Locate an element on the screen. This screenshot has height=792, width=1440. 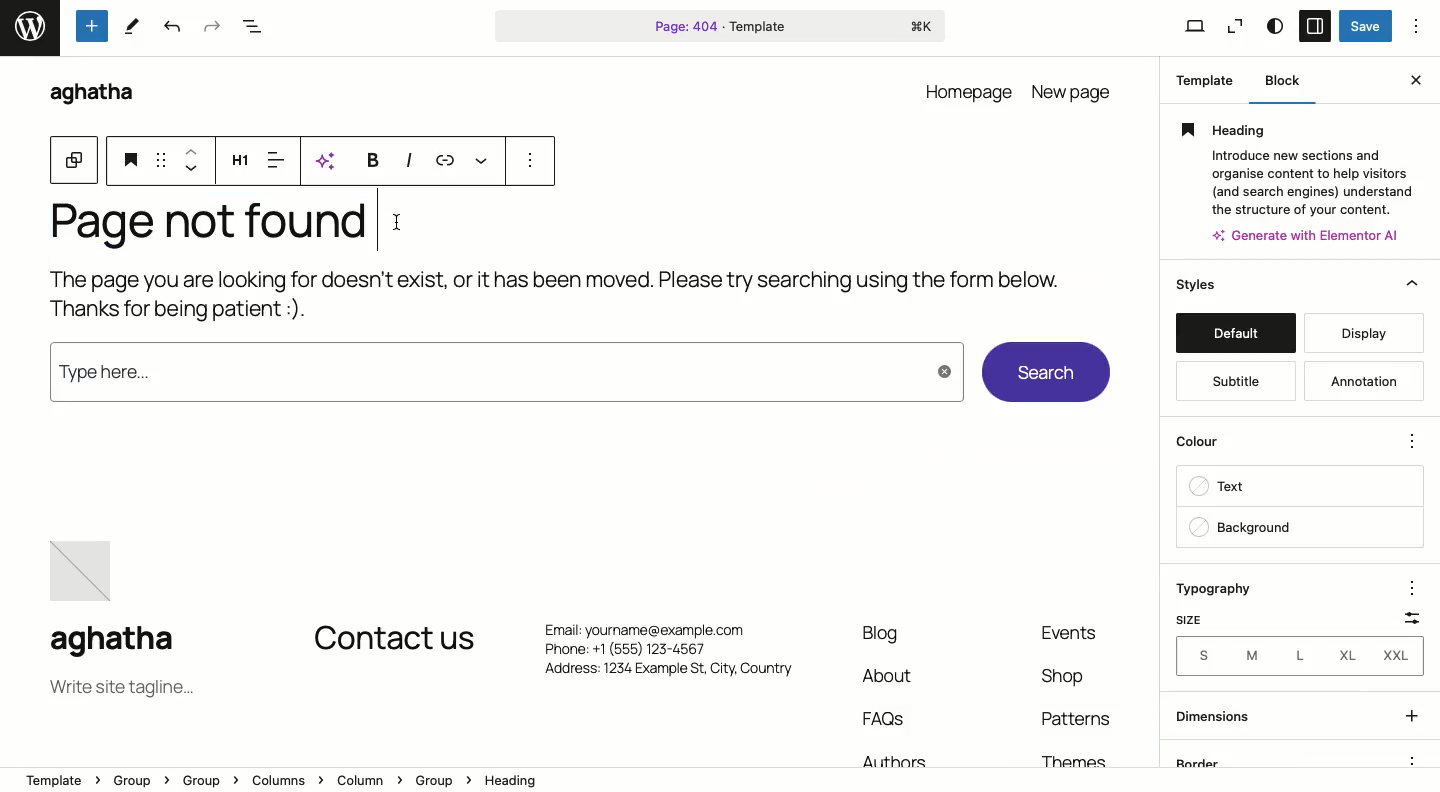
 is located at coordinates (550, 297).